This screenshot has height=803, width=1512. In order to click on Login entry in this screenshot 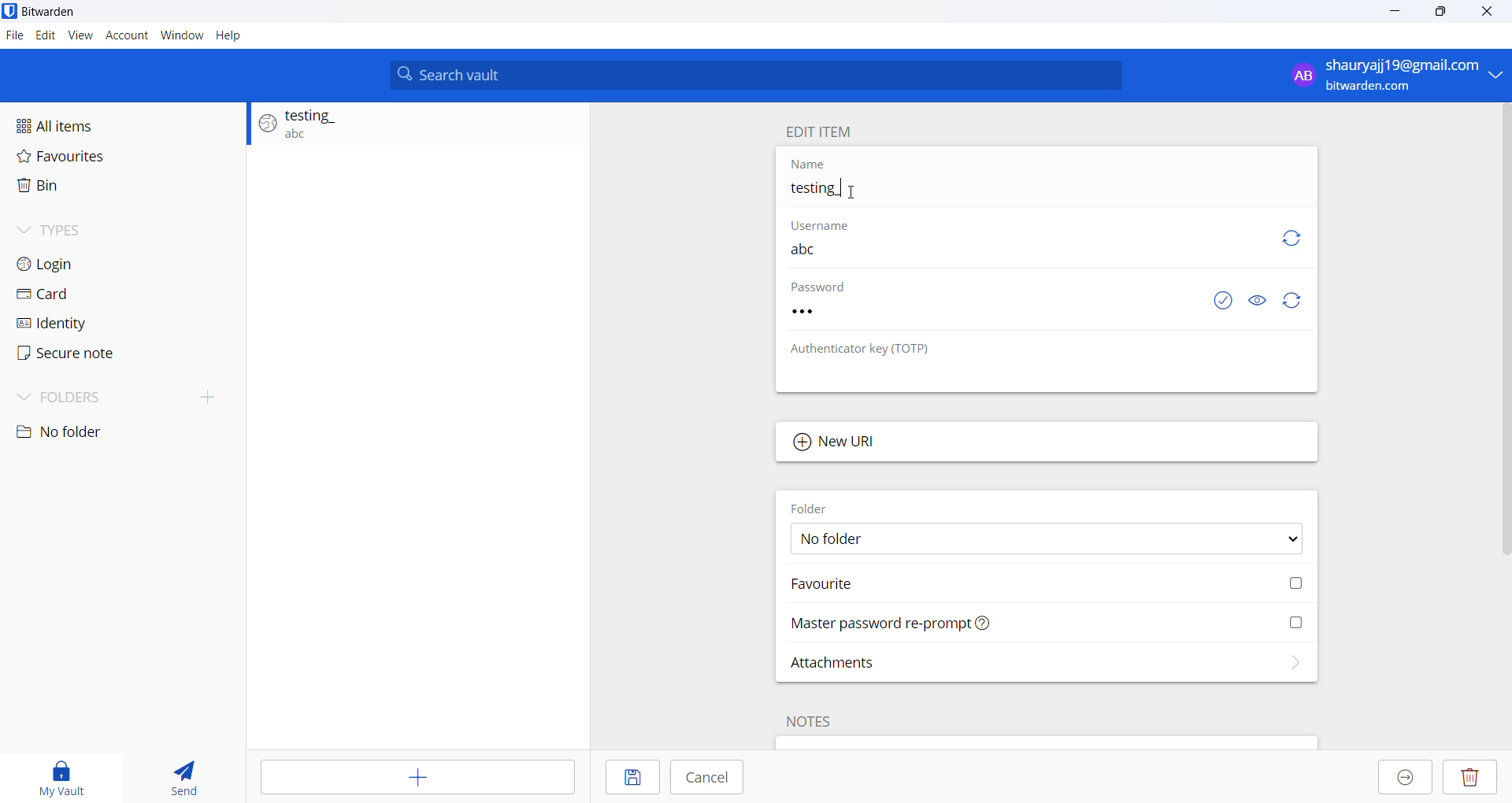, I will do `click(410, 128)`.